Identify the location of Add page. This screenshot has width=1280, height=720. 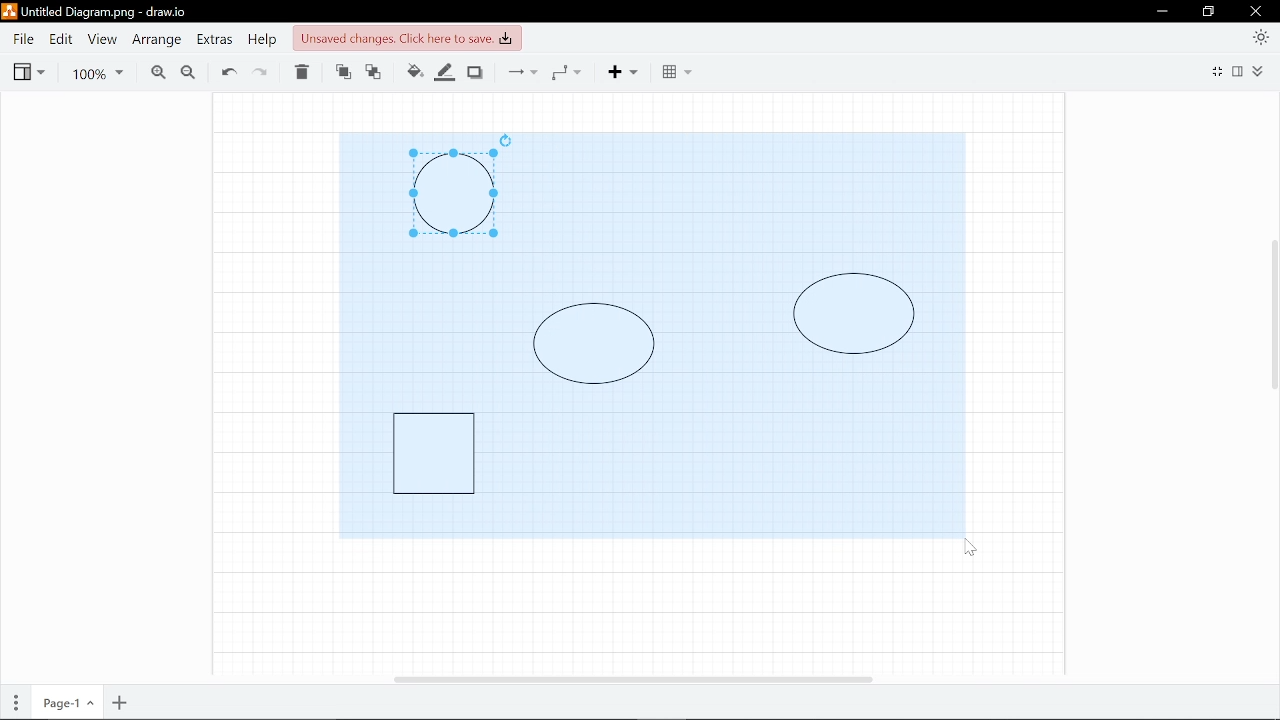
(121, 703).